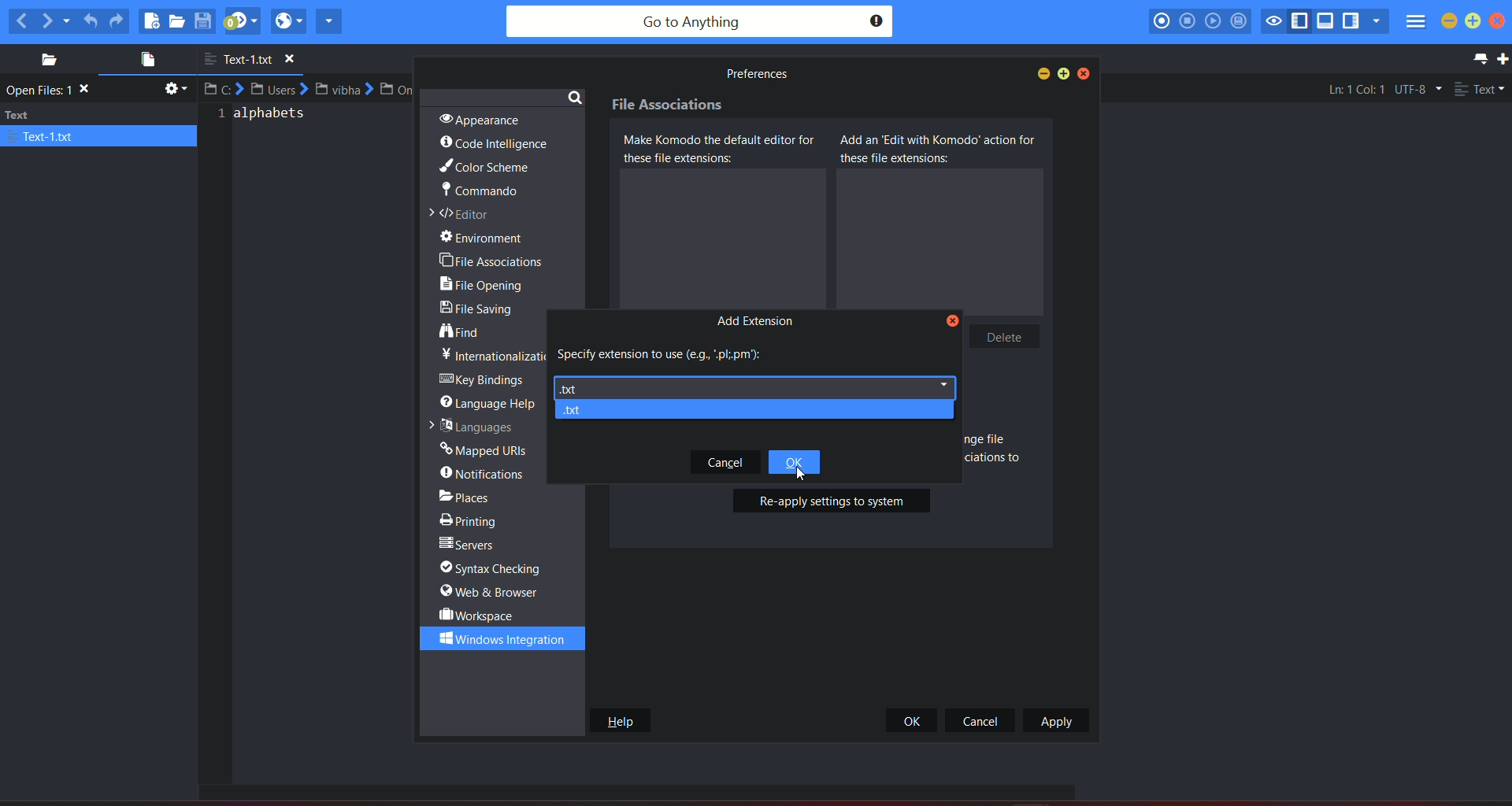 This screenshot has width=1512, height=806. What do you see at coordinates (754, 74) in the screenshot?
I see `text` at bounding box center [754, 74].